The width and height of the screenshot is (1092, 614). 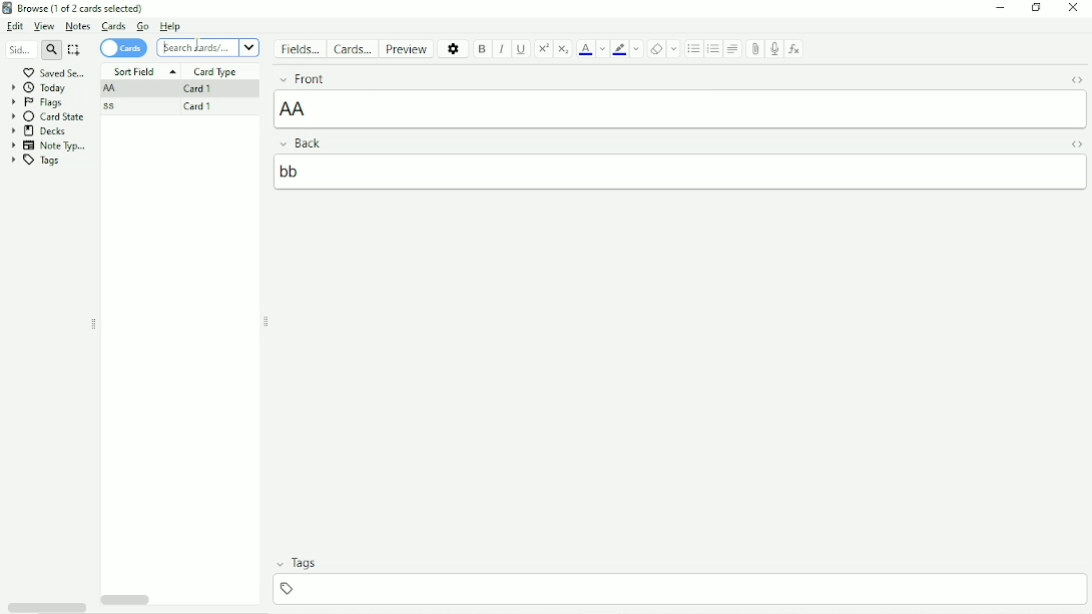 What do you see at coordinates (585, 49) in the screenshot?
I see `Text color` at bounding box center [585, 49].